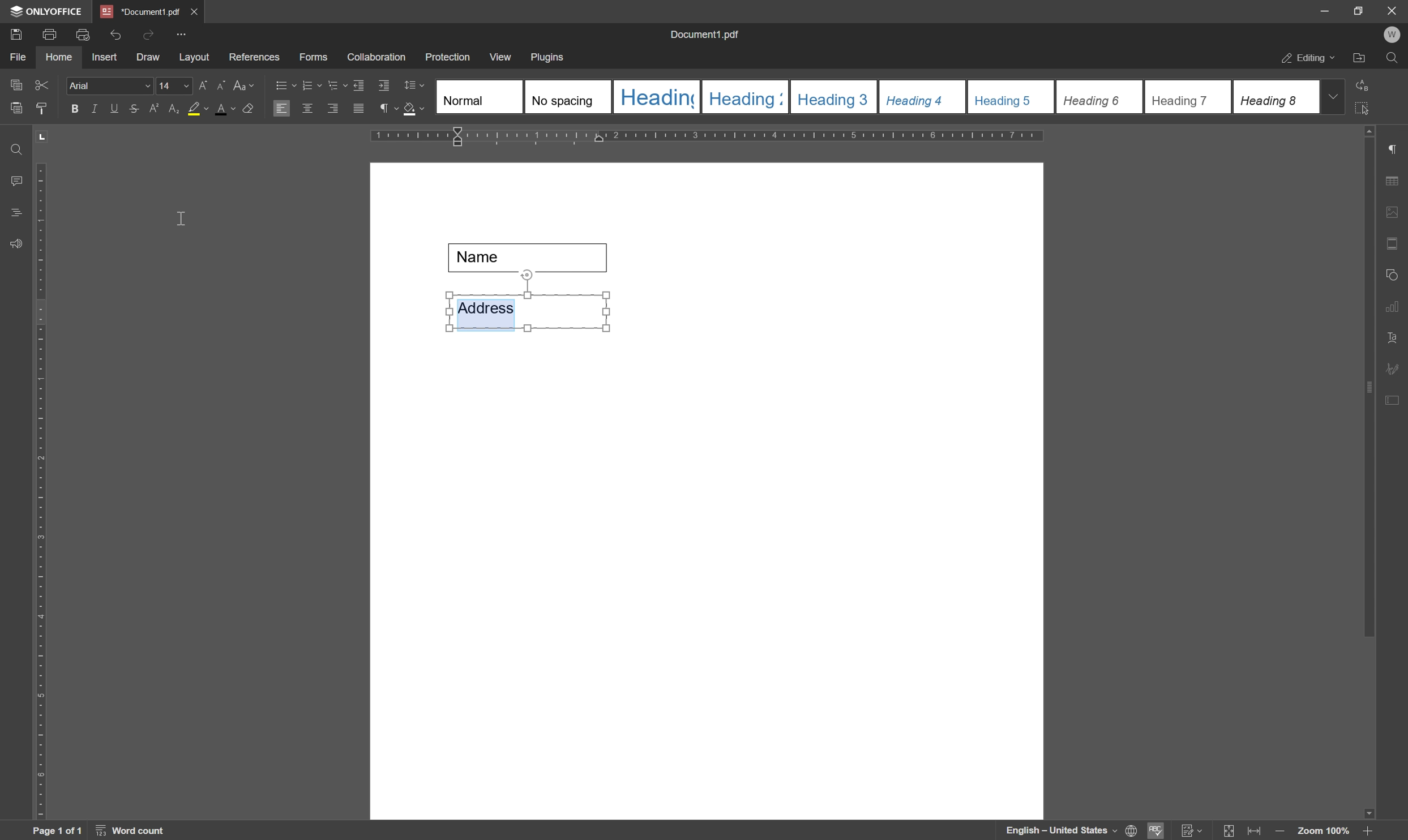  What do you see at coordinates (110, 86) in the screenshot?
I see `font` at bounding box center [110, 86].